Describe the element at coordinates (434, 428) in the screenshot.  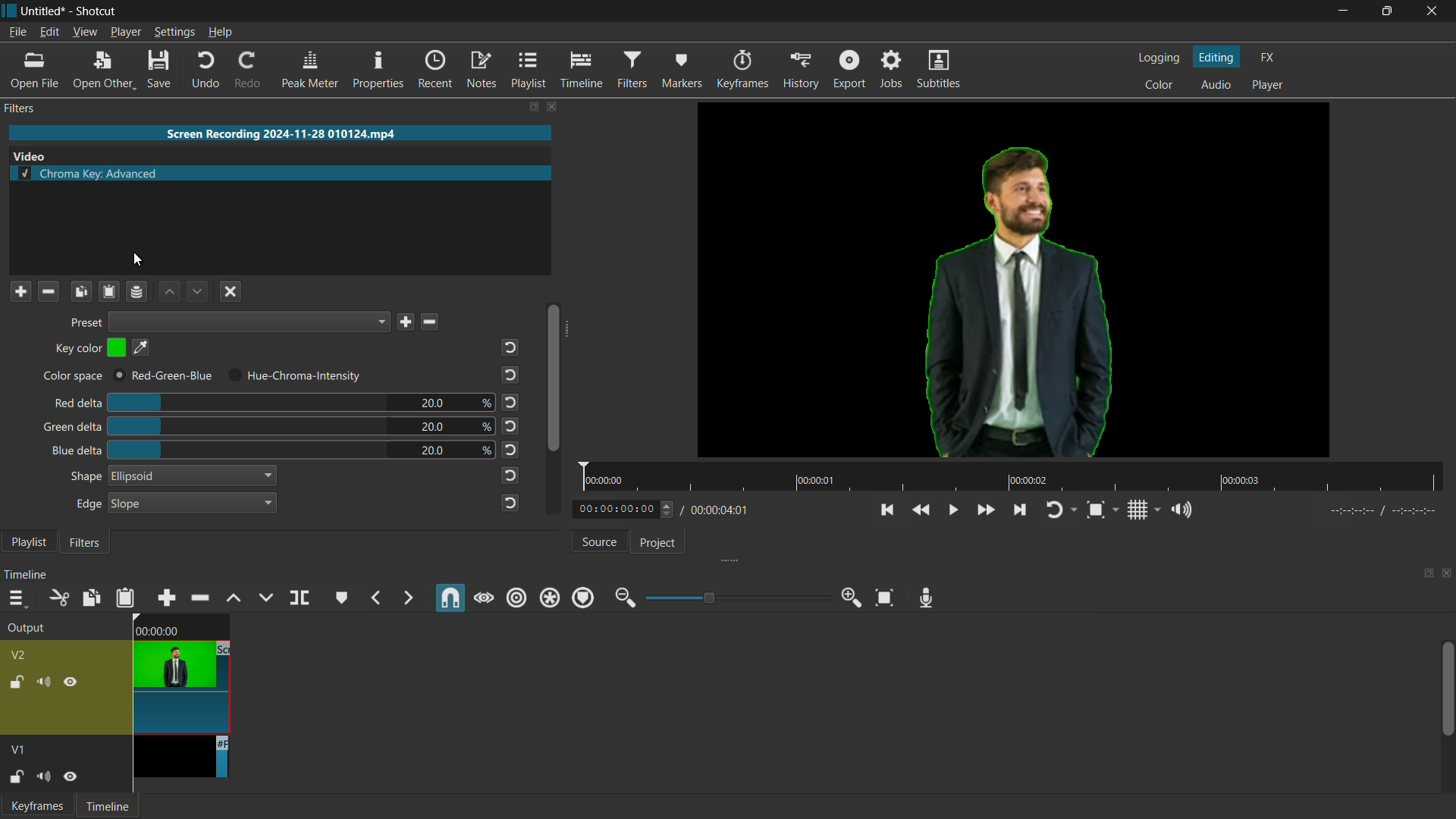
I see `20.0` at that location.